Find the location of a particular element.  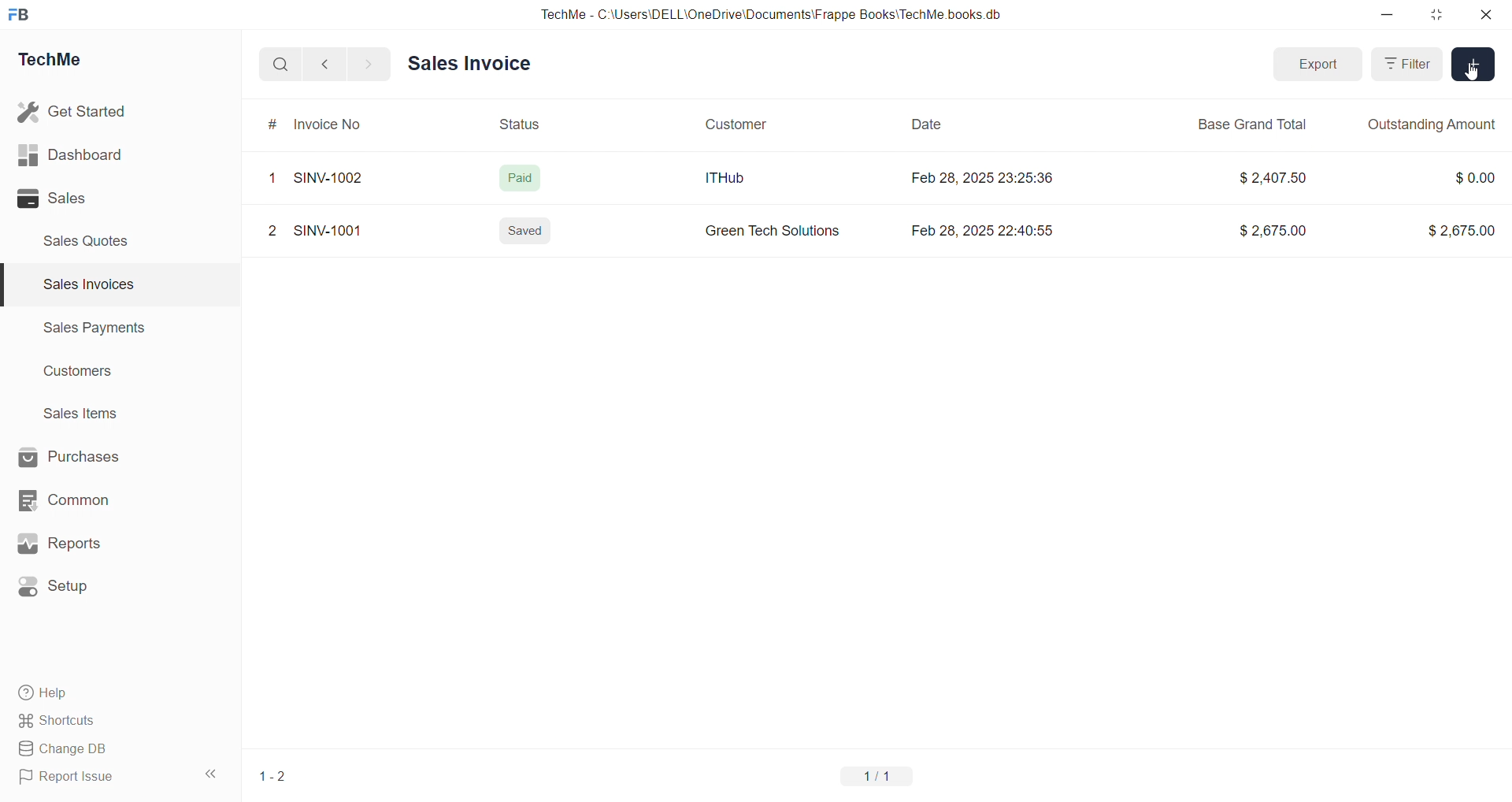

Minimize is located at coordinates (1392, 16).